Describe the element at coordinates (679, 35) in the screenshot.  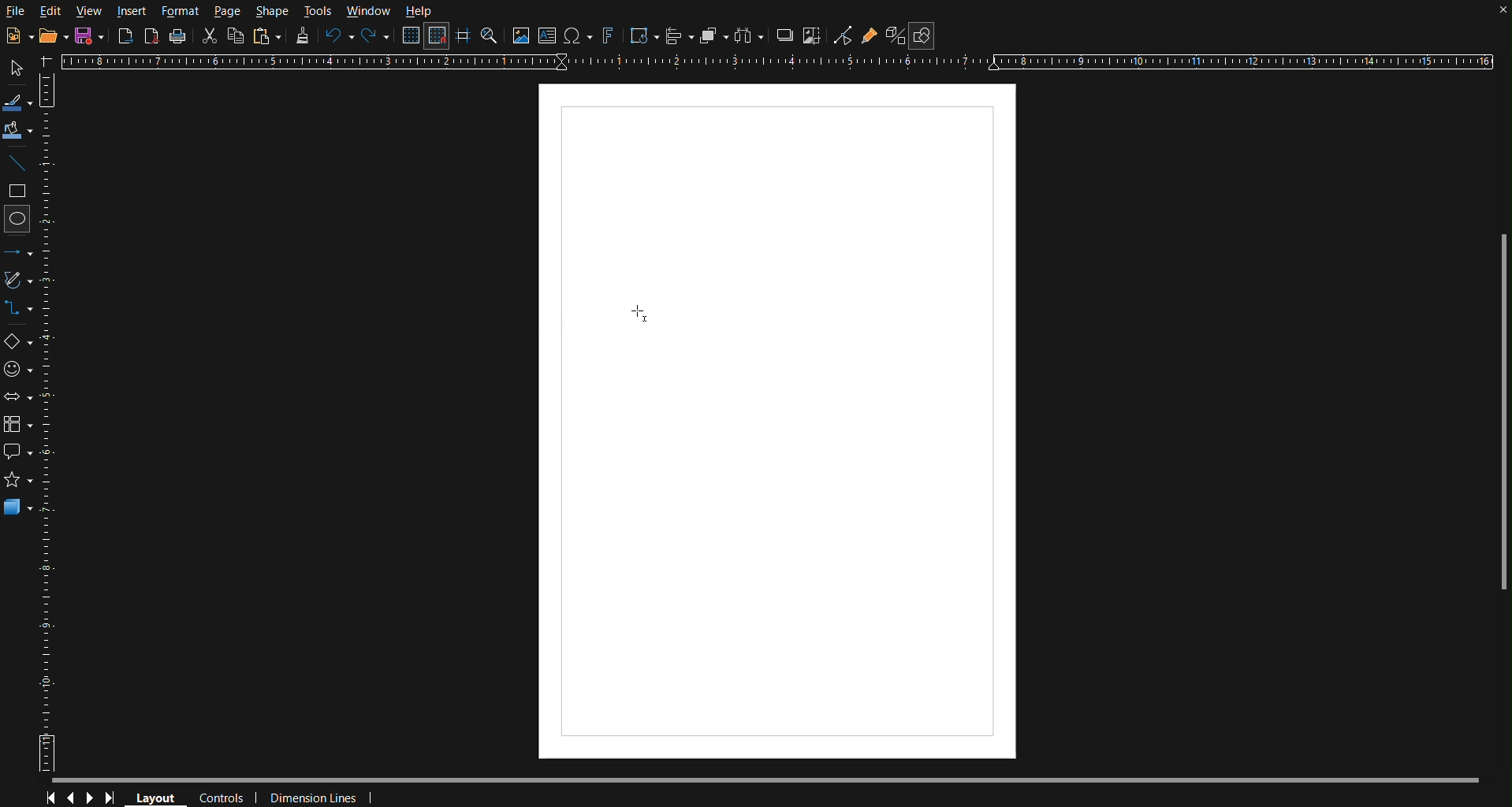
I see `Align` at that location.